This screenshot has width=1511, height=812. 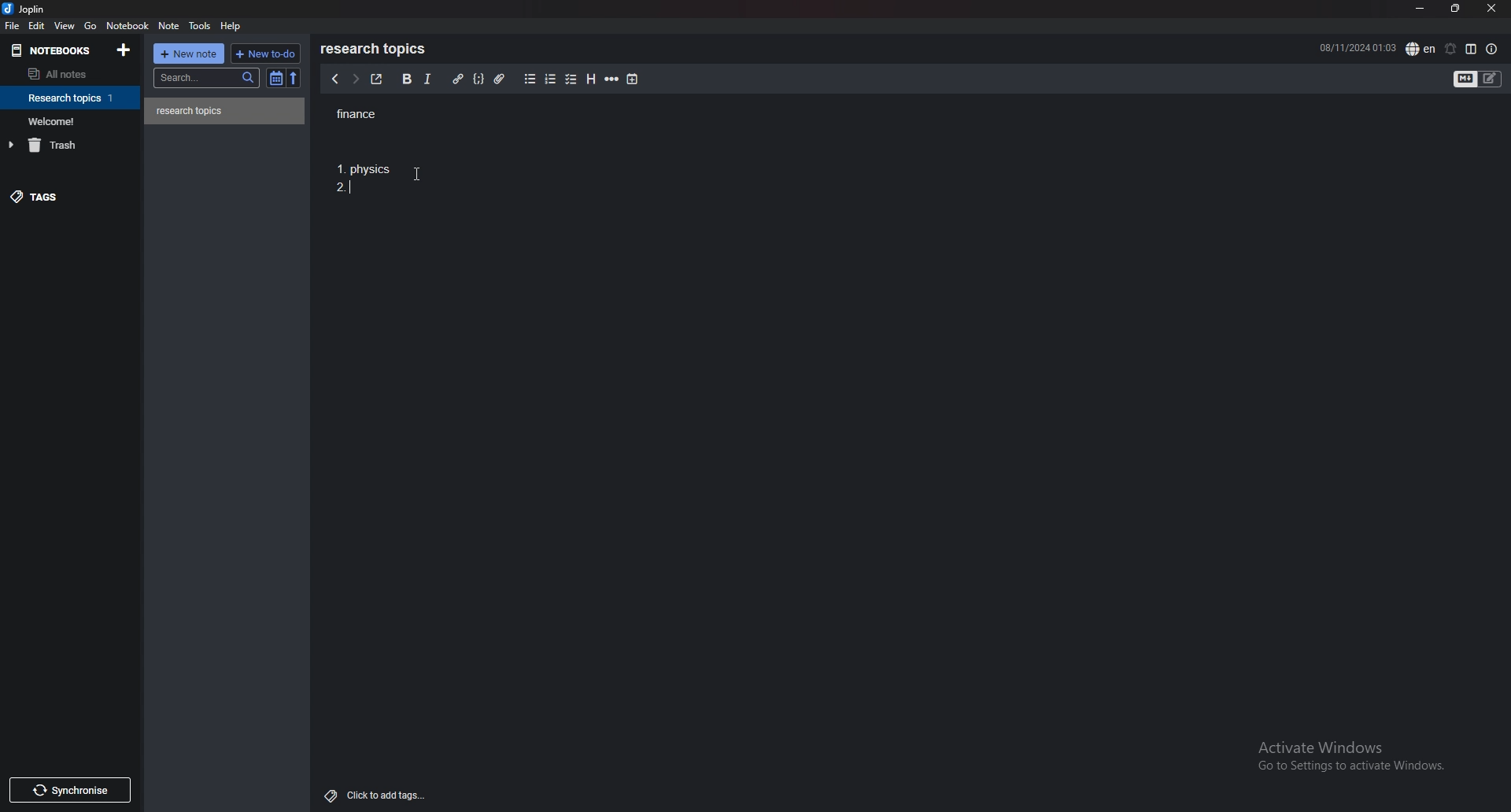 I want to click on Synchronise, so click(x=73, y=789).